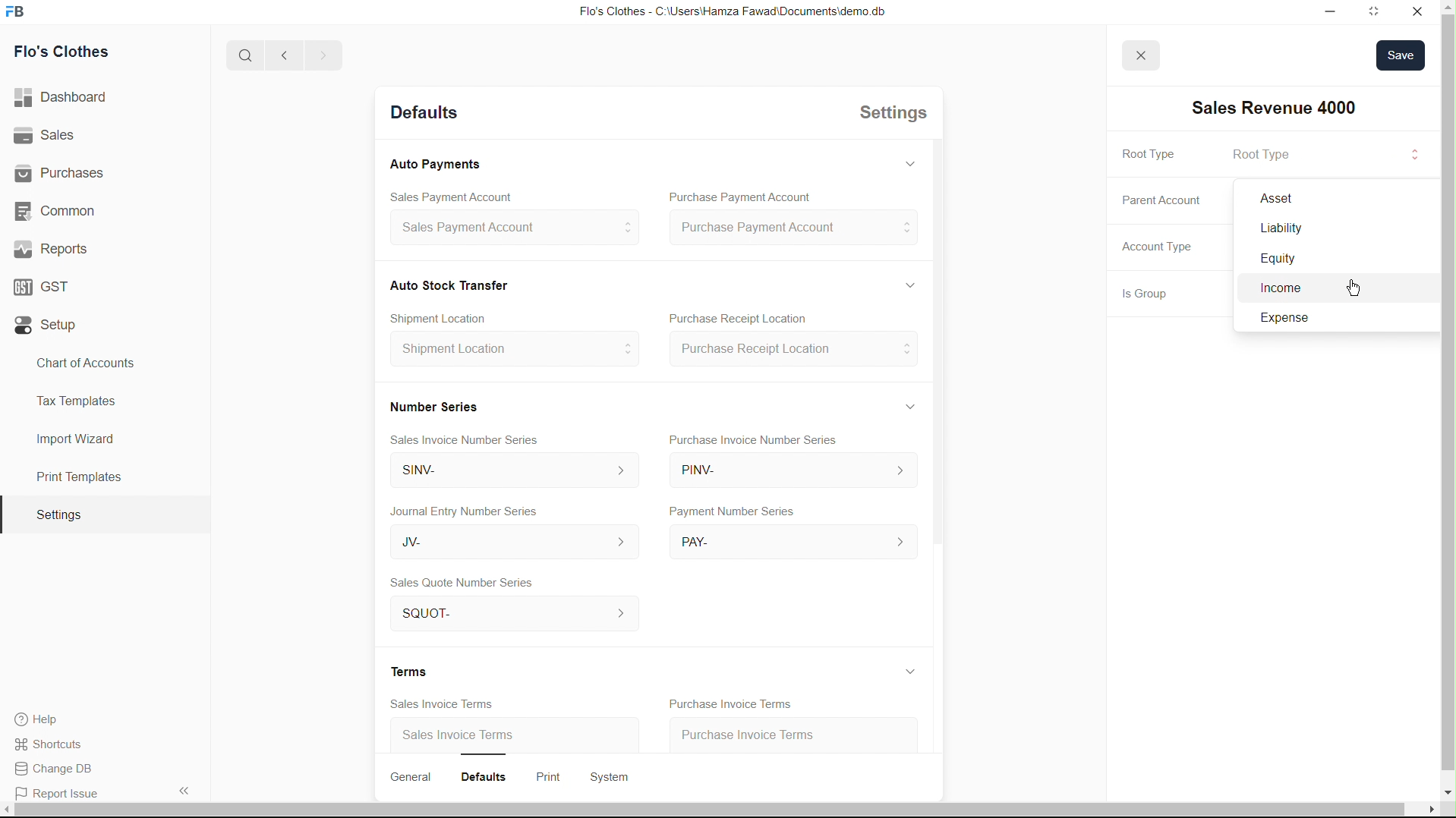 The image size is (1456, 818). What do you see at coordinates (73, 398) in the screenshot?
I see `Tax Templates` at bounding box center [73, 398].